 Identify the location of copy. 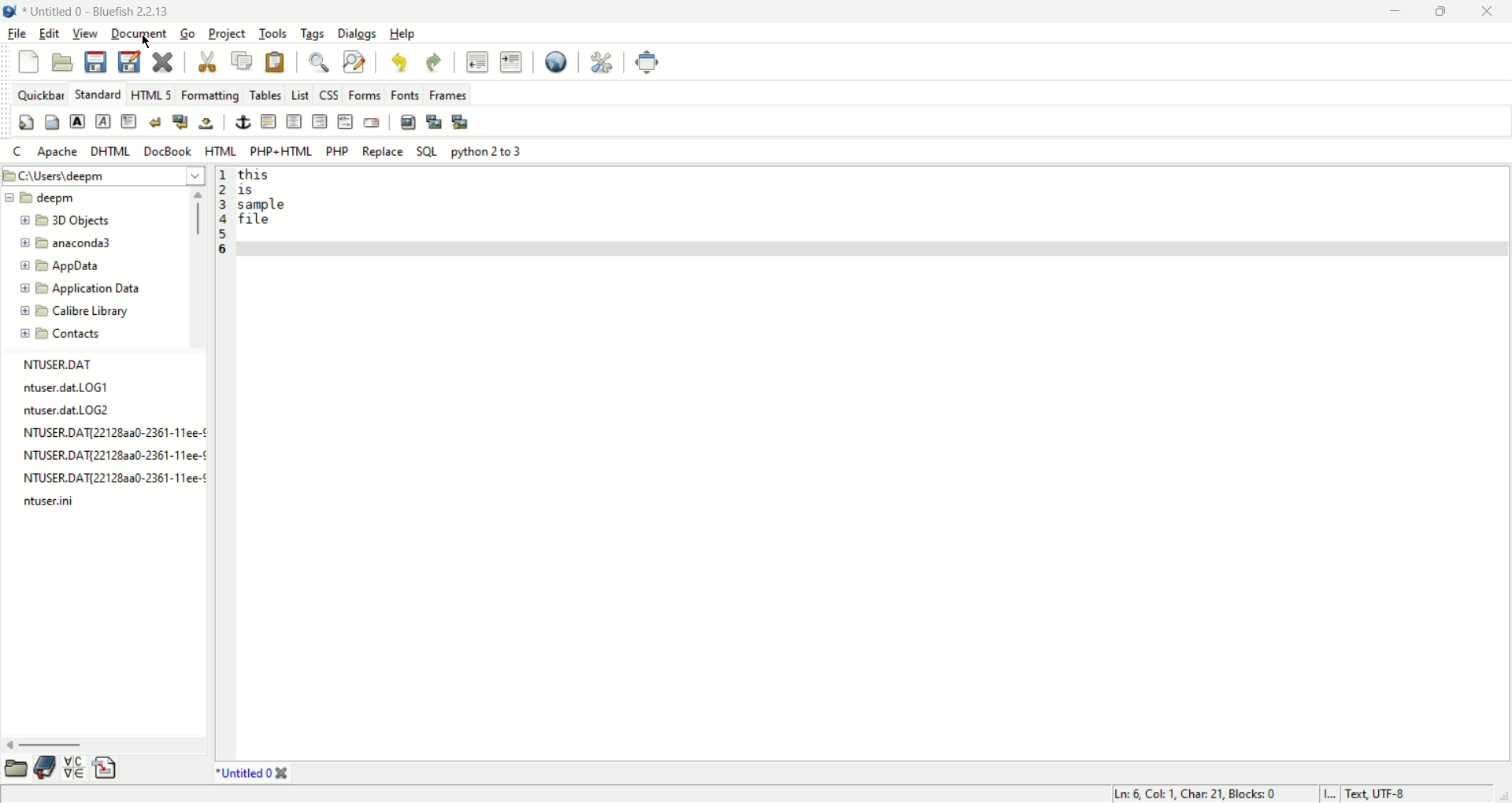
(245, 59).